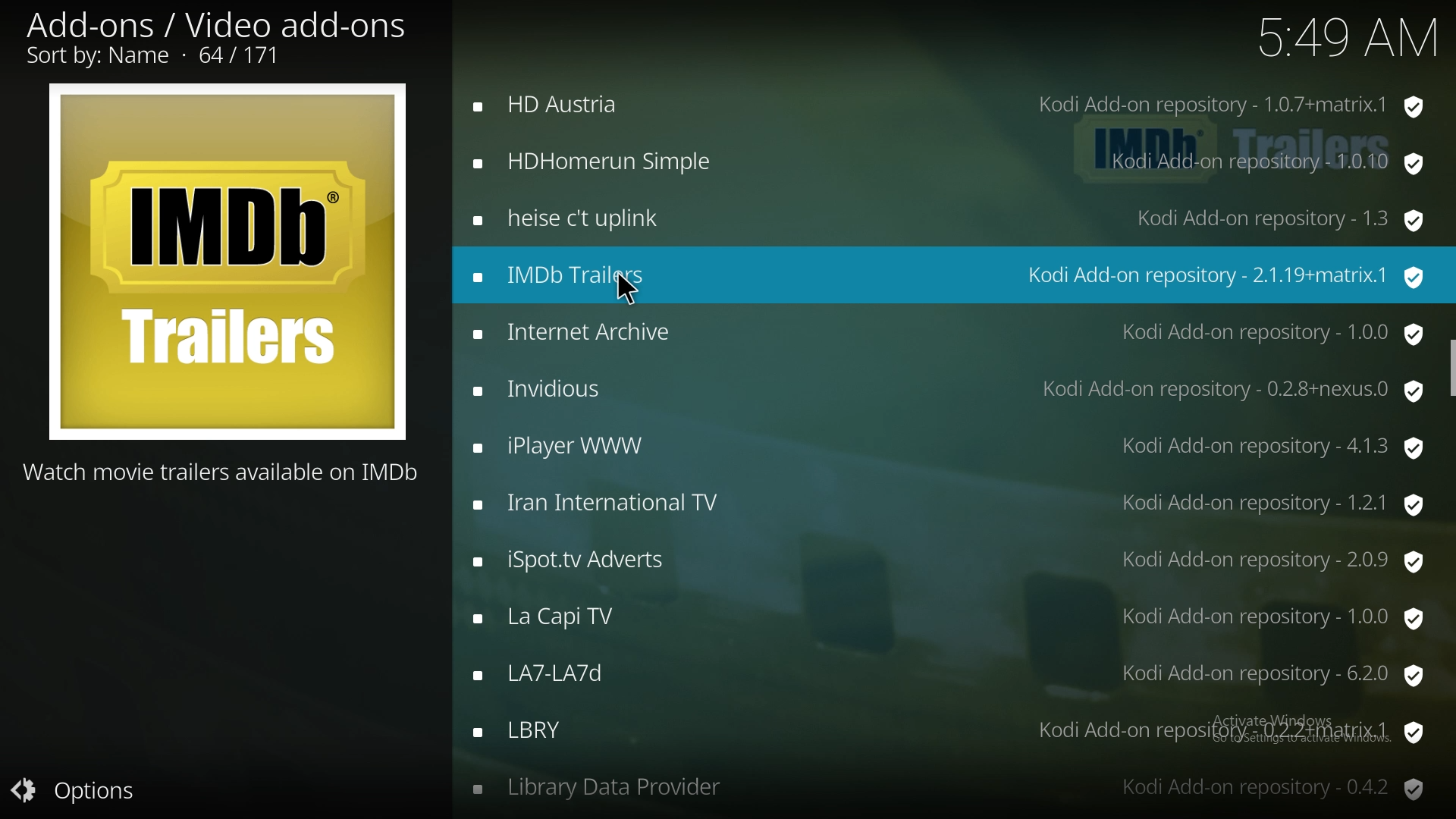  I want to click on add on, so click(952, 163).